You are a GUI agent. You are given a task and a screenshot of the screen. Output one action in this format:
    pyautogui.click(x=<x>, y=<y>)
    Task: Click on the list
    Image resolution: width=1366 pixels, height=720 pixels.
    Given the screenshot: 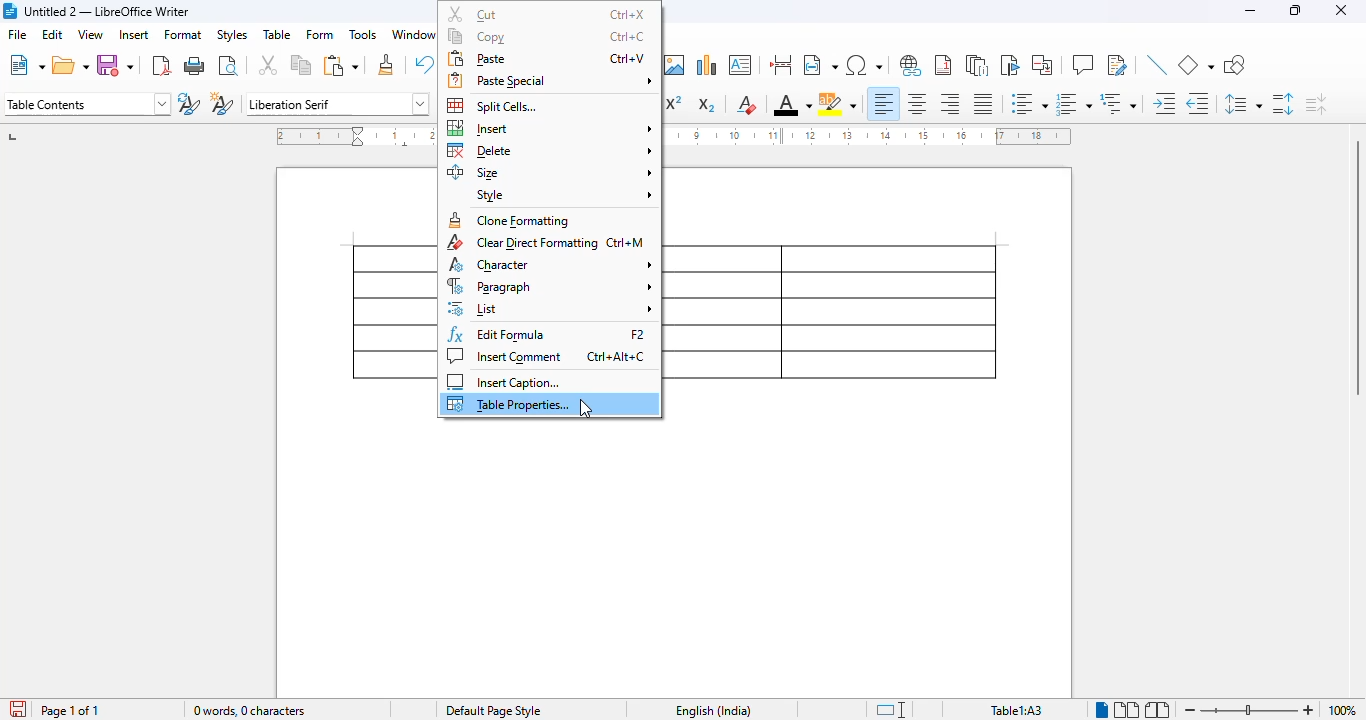 What is the action you would take?
    pyautogui.click(x=551, y=308)
    